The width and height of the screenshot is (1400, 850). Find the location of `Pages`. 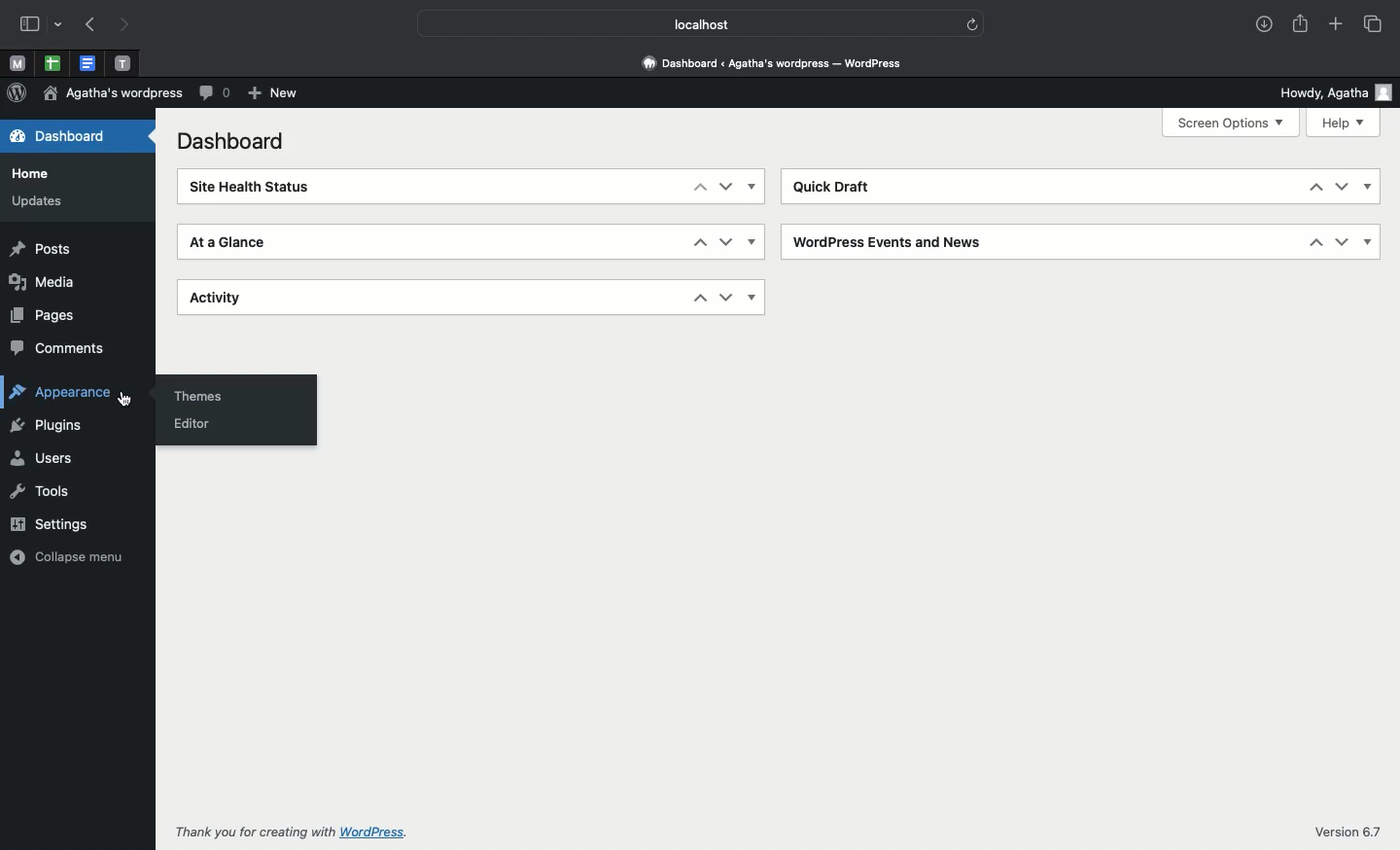

Pages is located at coordinates (52, 316).